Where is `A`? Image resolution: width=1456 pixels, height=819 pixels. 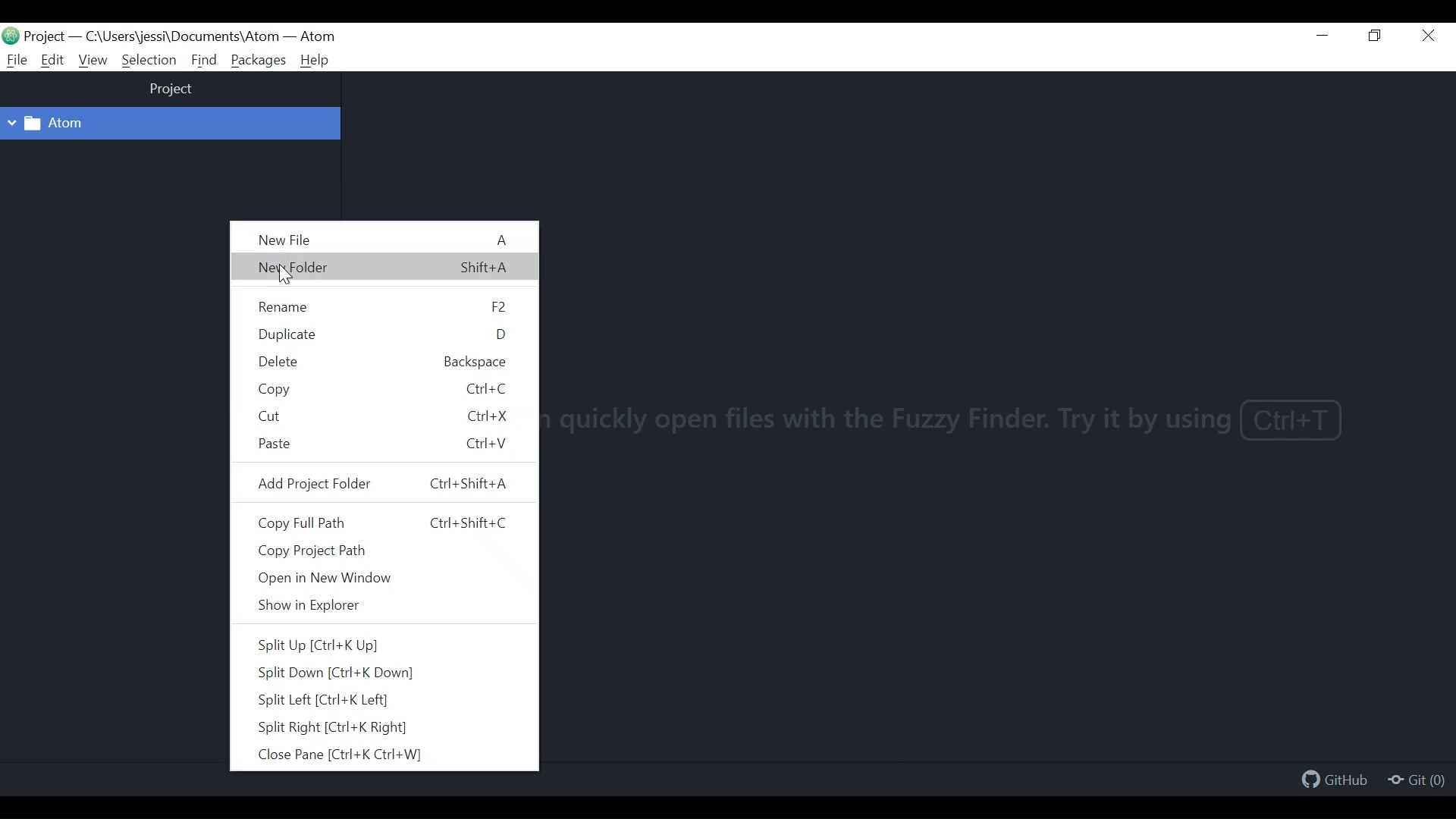 A is located at coordinates (501, 240).